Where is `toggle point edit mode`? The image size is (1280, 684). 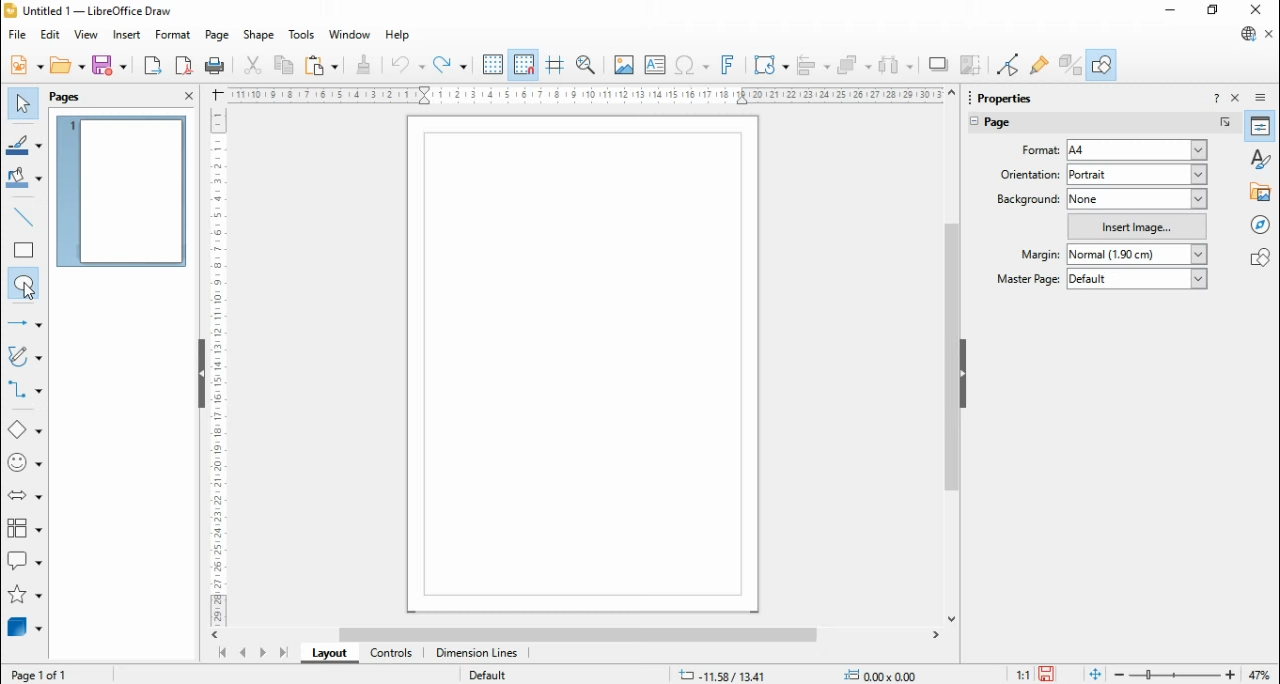 toggle point edit mode is located at coordinates (1010, 65).